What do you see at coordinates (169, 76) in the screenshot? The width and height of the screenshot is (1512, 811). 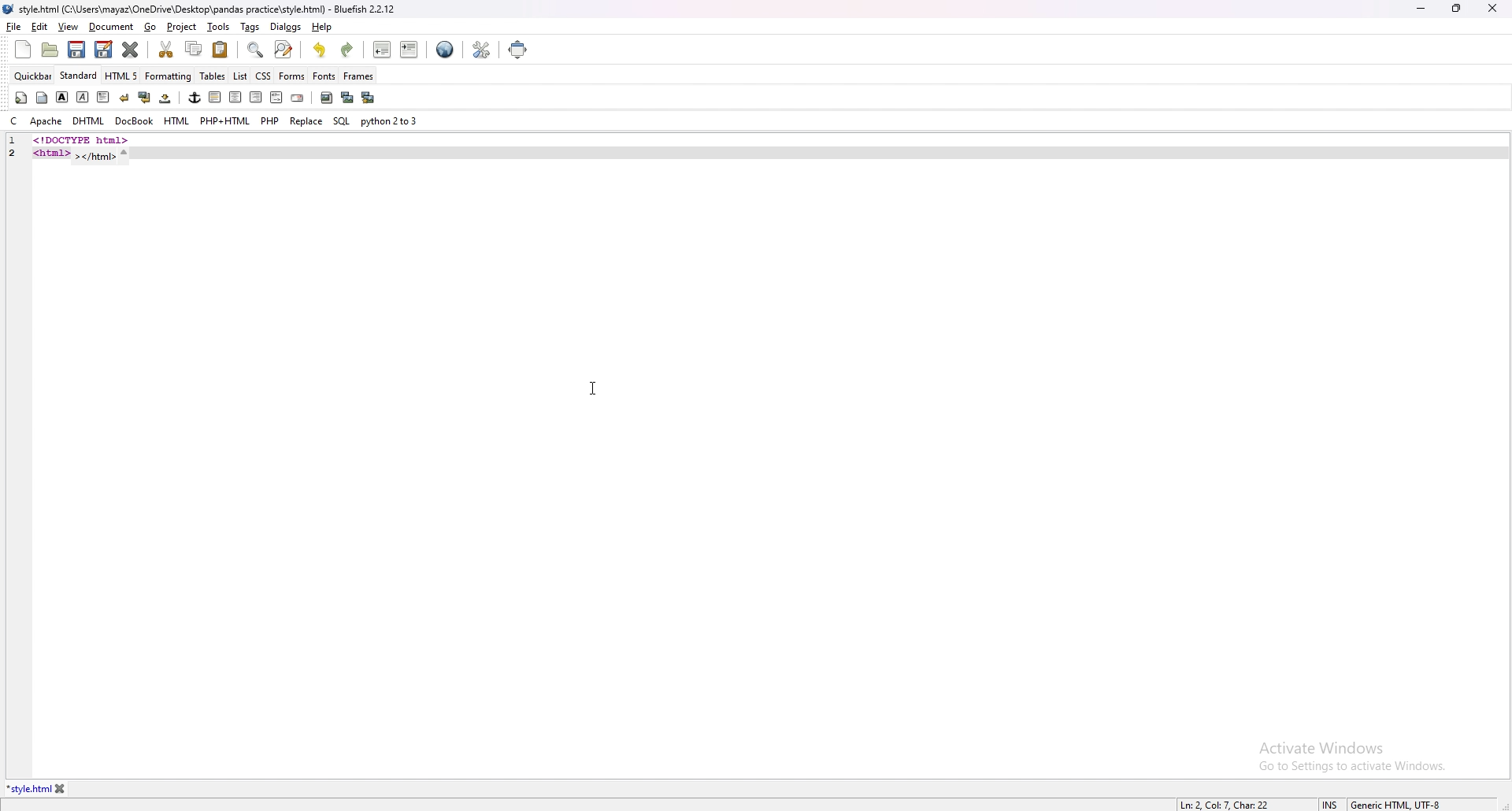 I see `formatting` at bounding box center [169, 76].